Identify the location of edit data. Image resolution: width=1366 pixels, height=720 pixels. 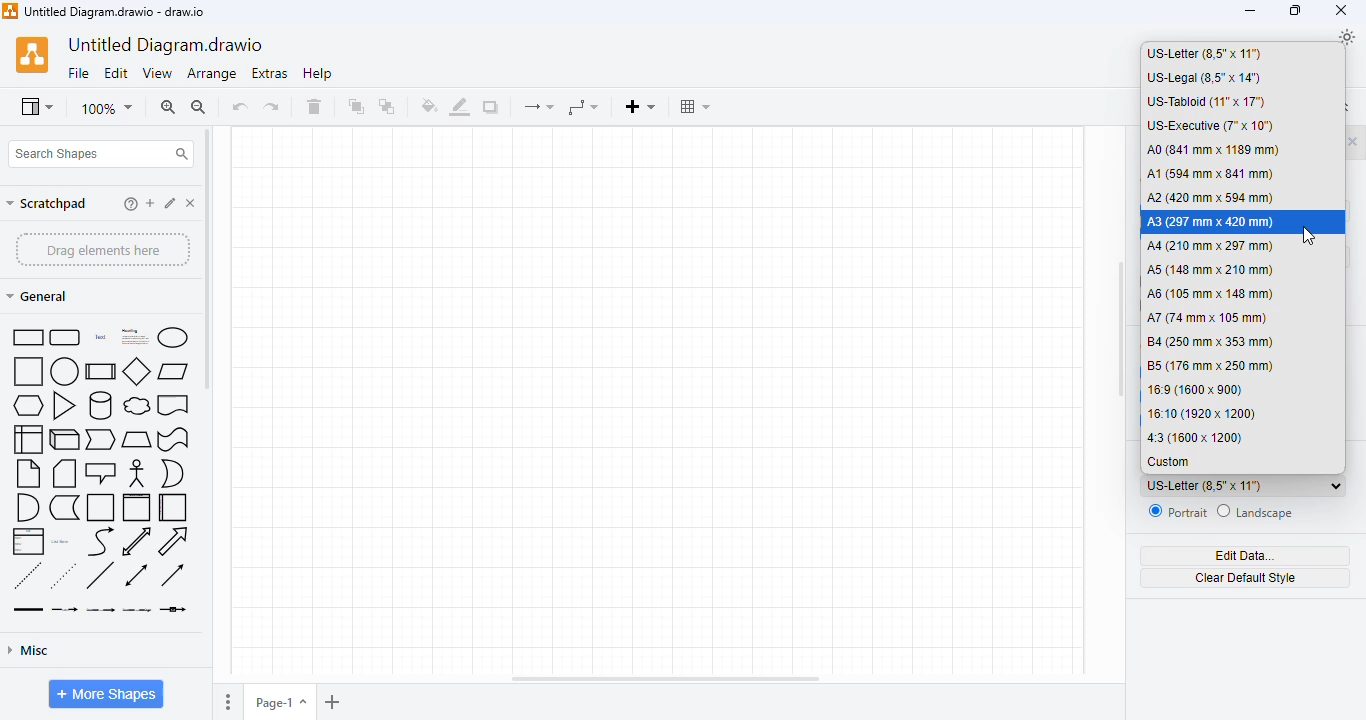
(1246, 556).